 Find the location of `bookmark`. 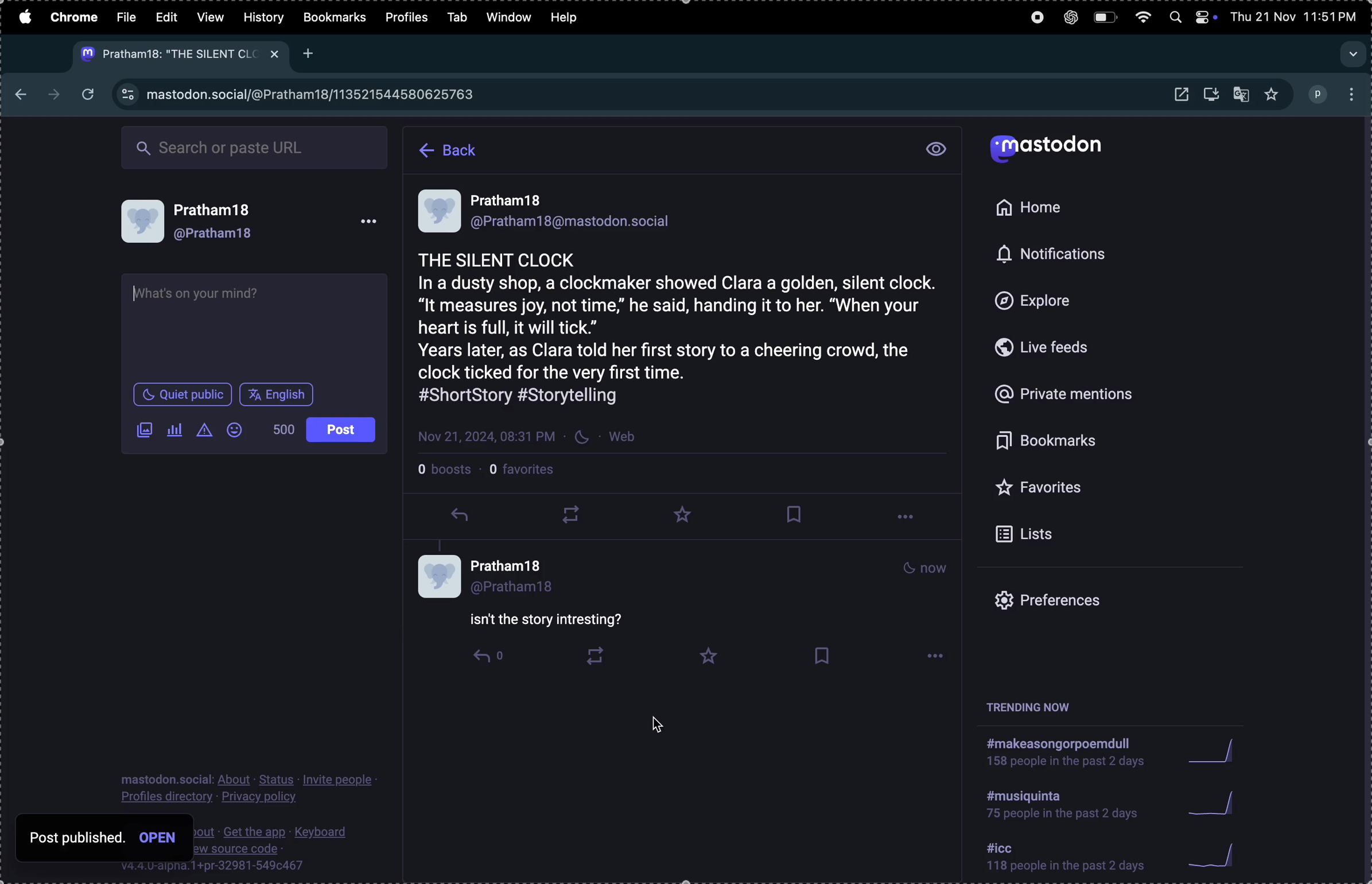

bookmark is located at coordinates (1083, 442).